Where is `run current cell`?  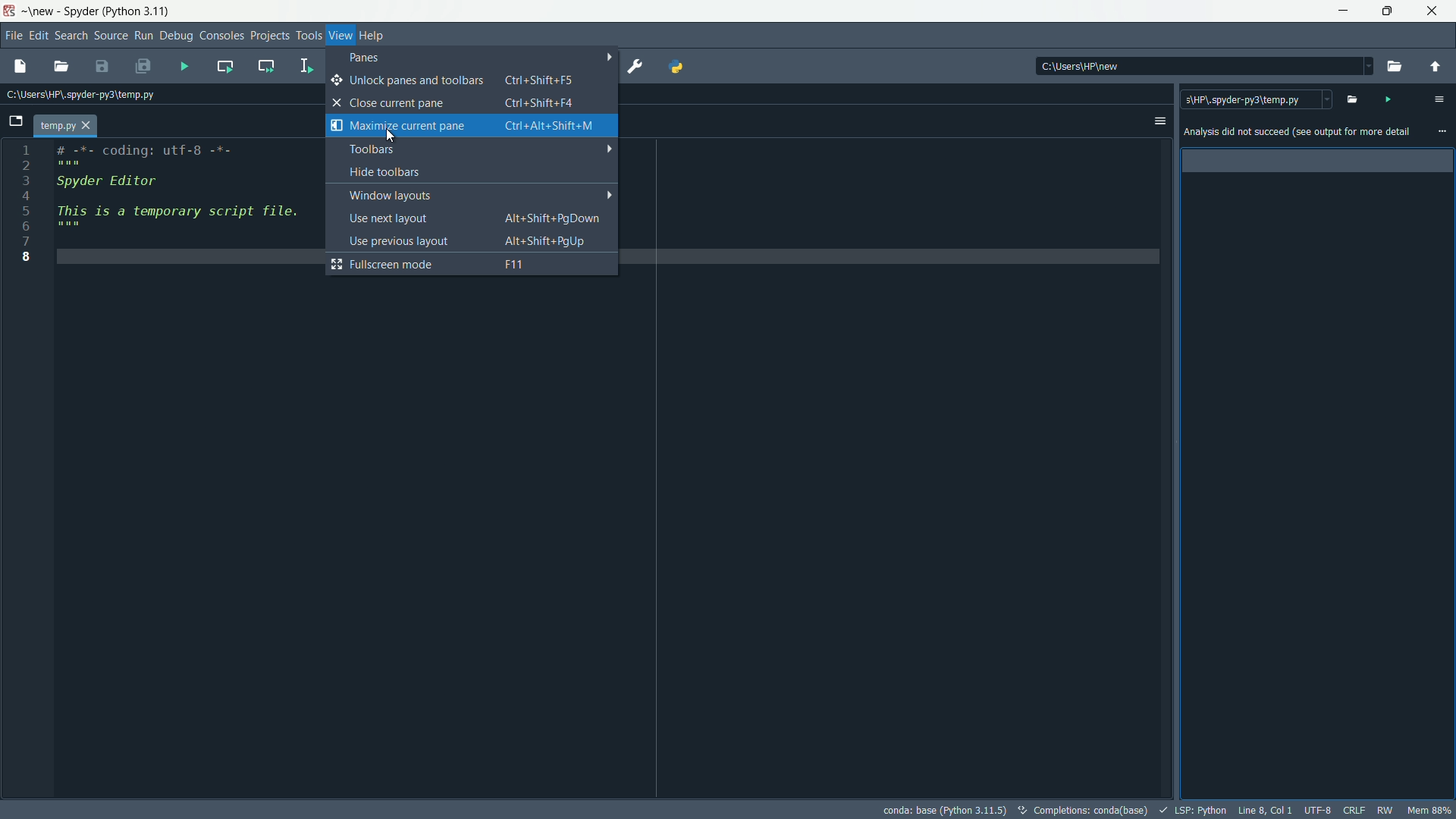
run current cell is located at coordinates (225, 67).